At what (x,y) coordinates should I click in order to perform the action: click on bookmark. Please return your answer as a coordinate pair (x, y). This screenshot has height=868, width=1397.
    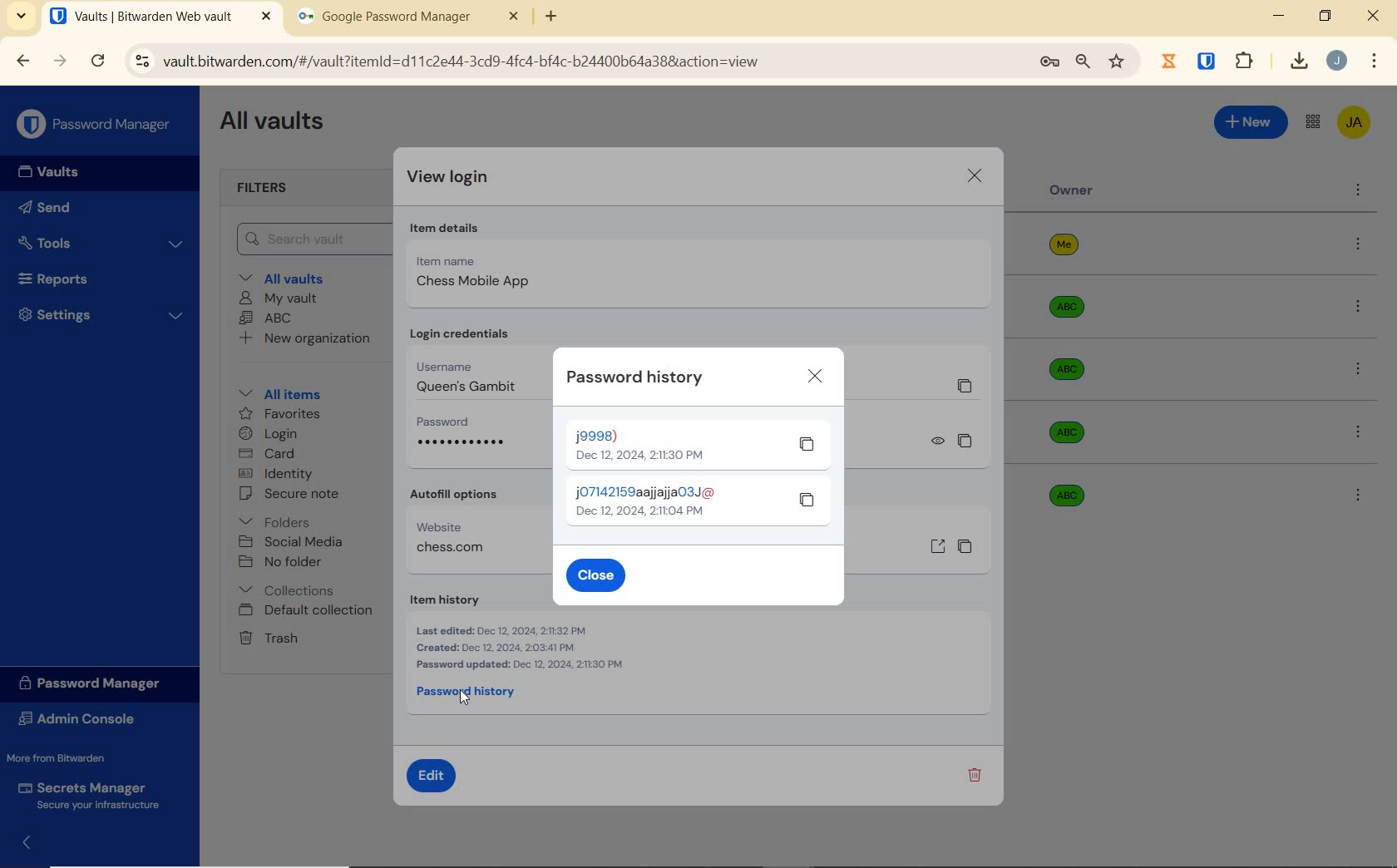
    Looking at the image, I should click on (1118, 62).